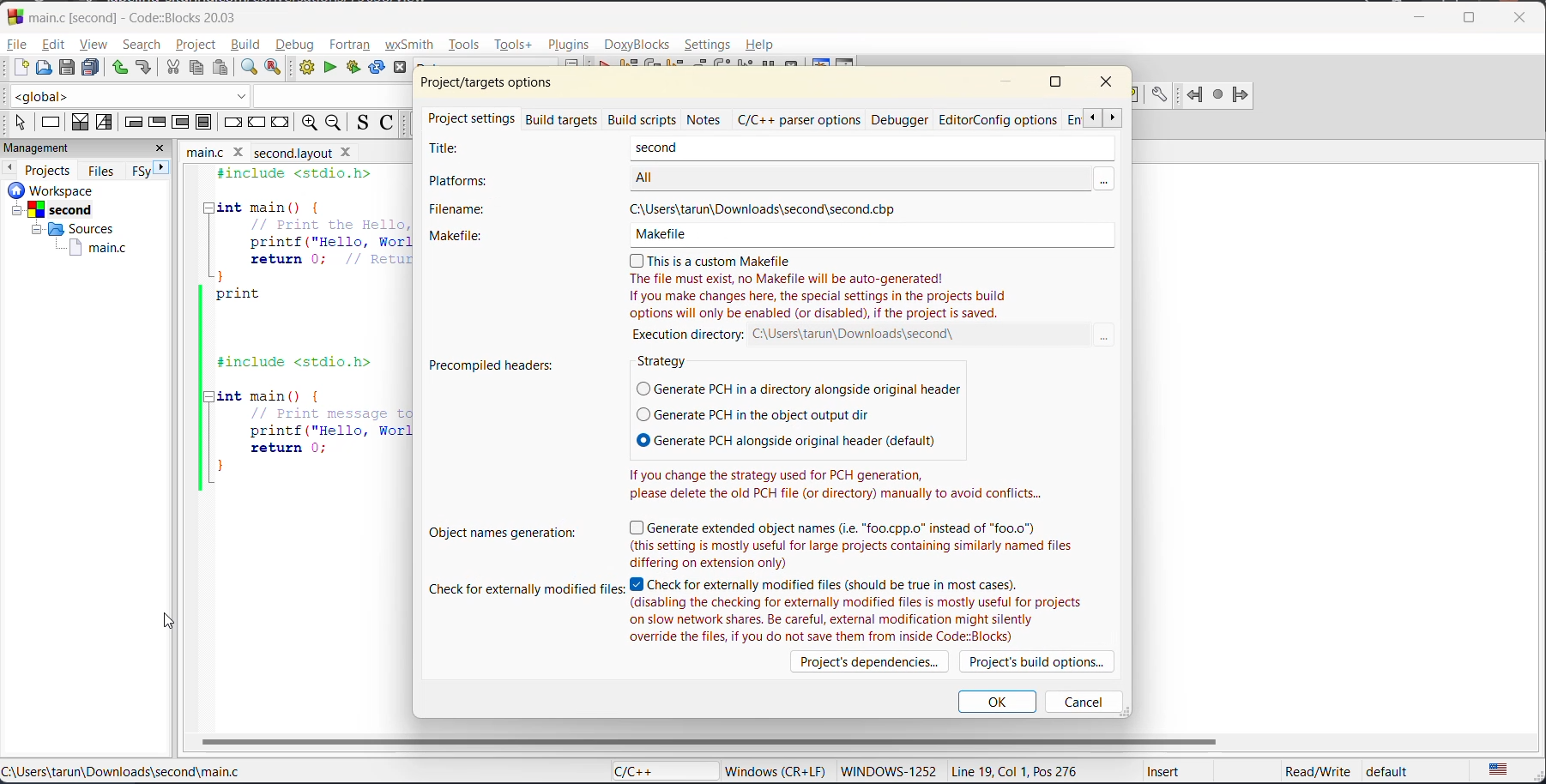 Image resolution: width=1546 pixels, height=784 pixels. Describe the element at coordinates (797, 403) in the screenshot. I see `strategy` at that location.